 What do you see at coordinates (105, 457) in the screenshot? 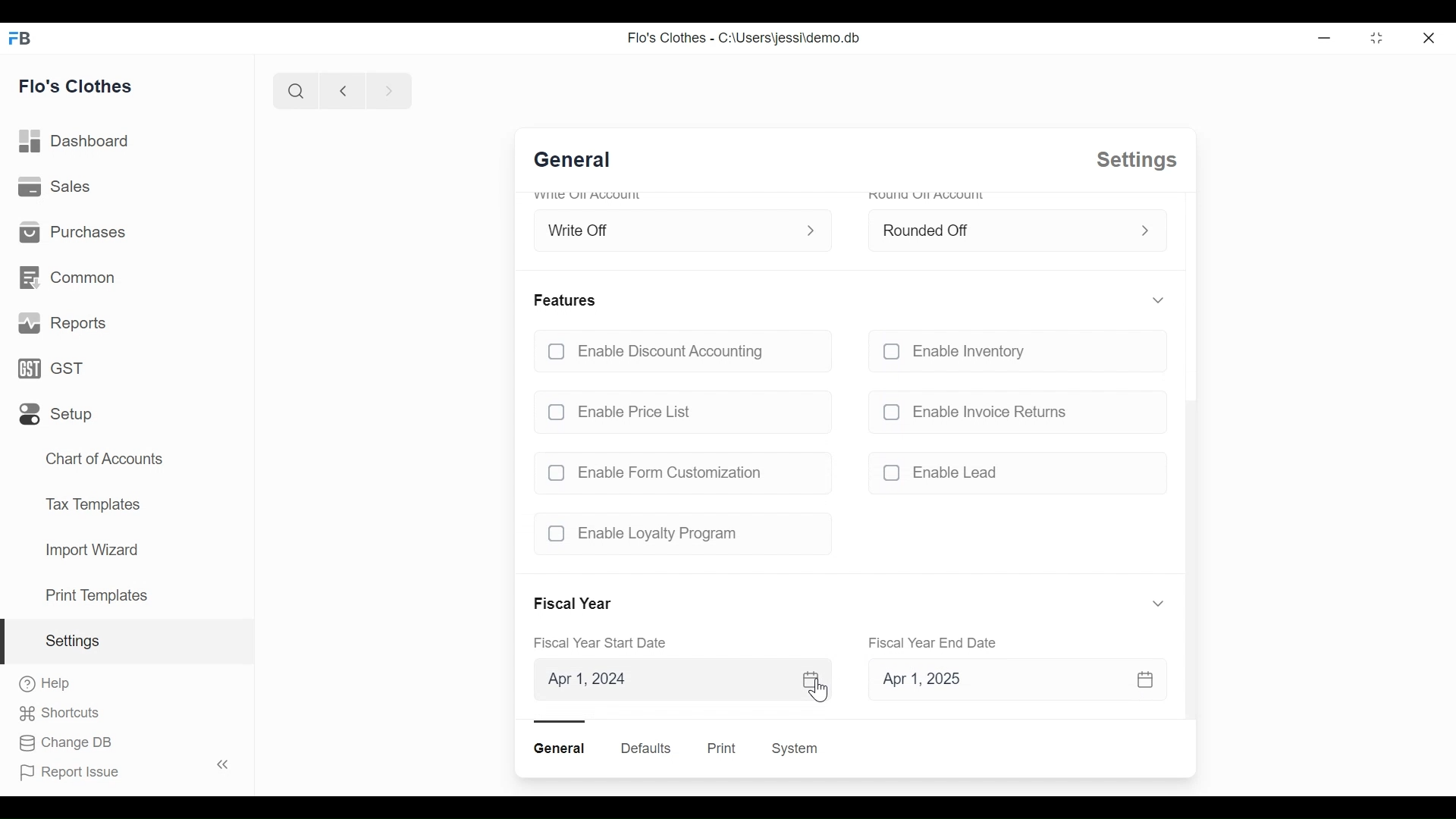
I see `Chart of Accounts` at bounding box center [105, 457].